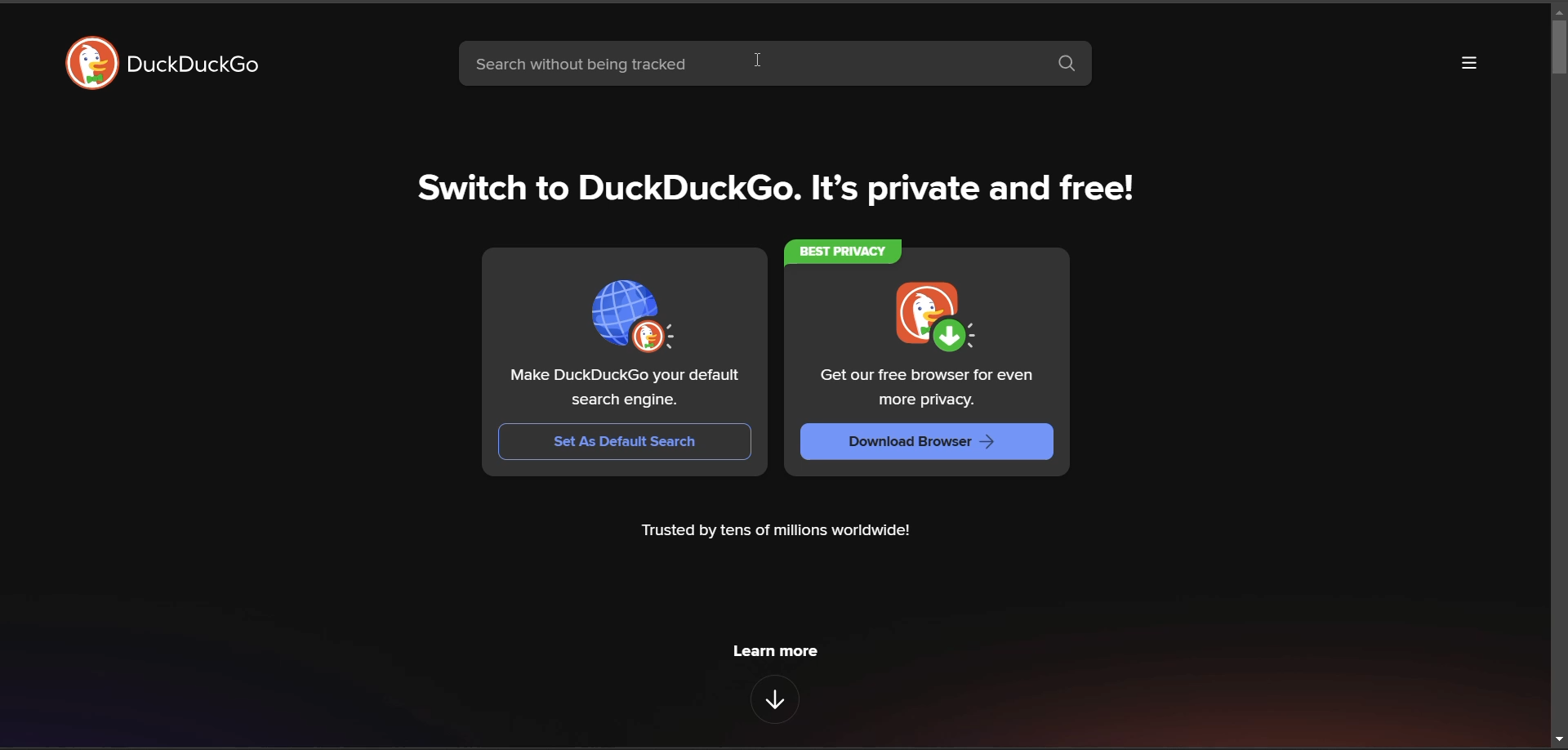 This screenshot has height=750, width=1568. Describe the element at coordinates (770, 701) in the screenshot. I see `features` at that location.